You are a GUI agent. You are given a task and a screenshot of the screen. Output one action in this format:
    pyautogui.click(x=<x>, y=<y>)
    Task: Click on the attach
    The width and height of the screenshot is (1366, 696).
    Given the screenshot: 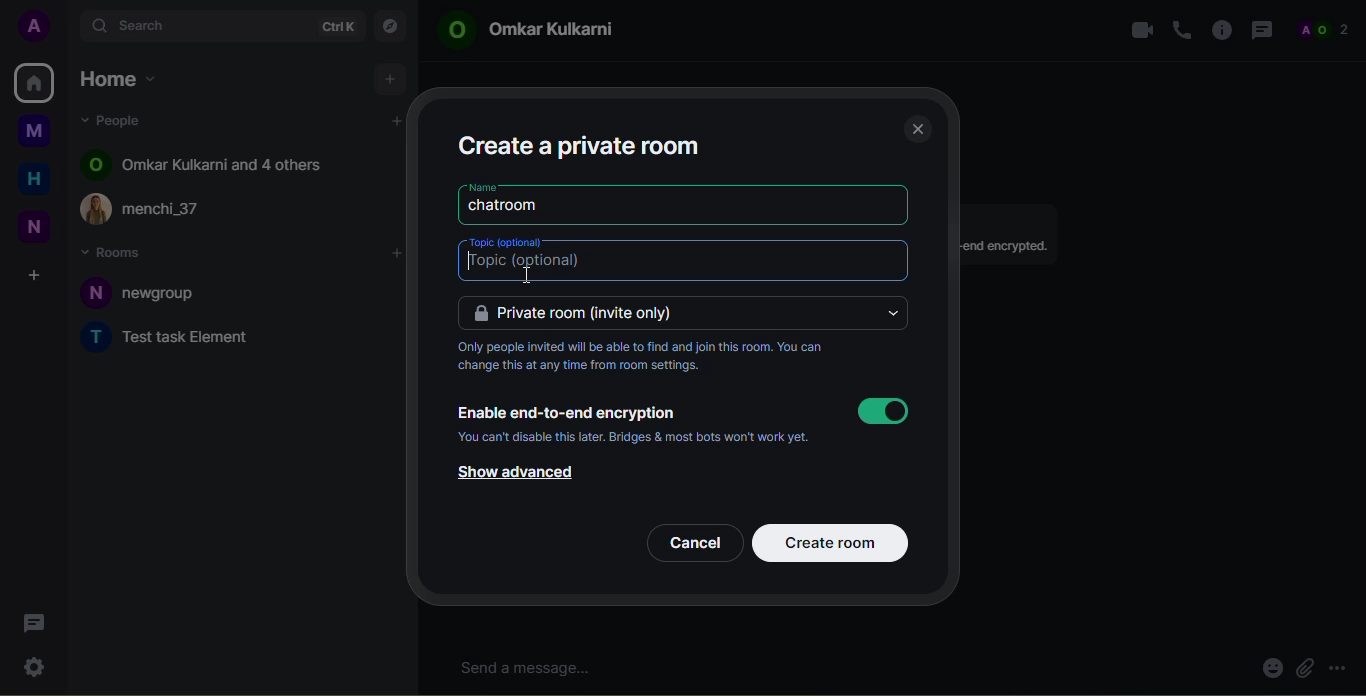 What is the action you would take?
    pyautogui.click(x=1304, y=669)
    